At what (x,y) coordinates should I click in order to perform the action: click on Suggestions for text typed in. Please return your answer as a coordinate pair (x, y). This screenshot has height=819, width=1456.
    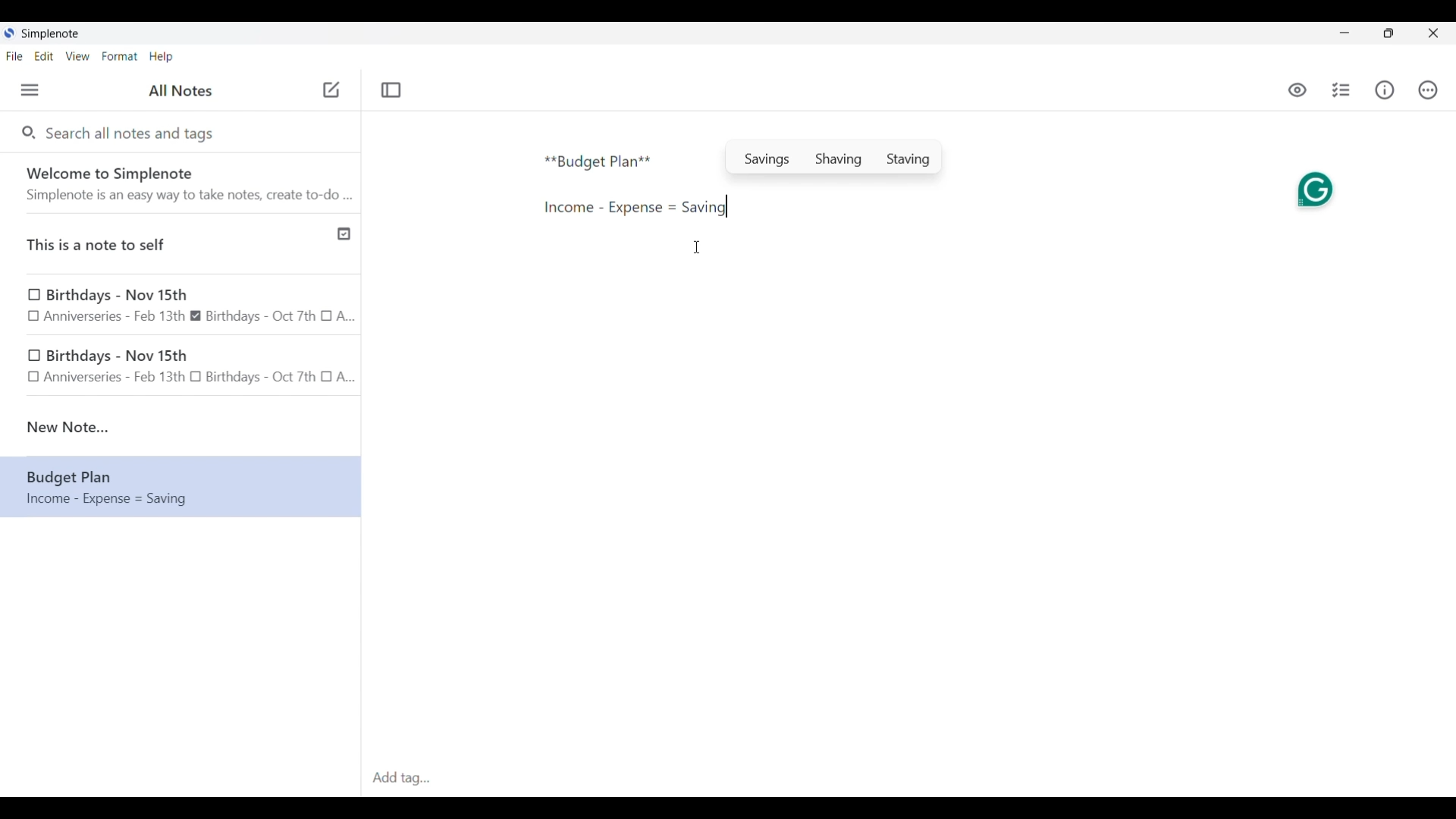
    Looking at the image, I should click on (834, 156).